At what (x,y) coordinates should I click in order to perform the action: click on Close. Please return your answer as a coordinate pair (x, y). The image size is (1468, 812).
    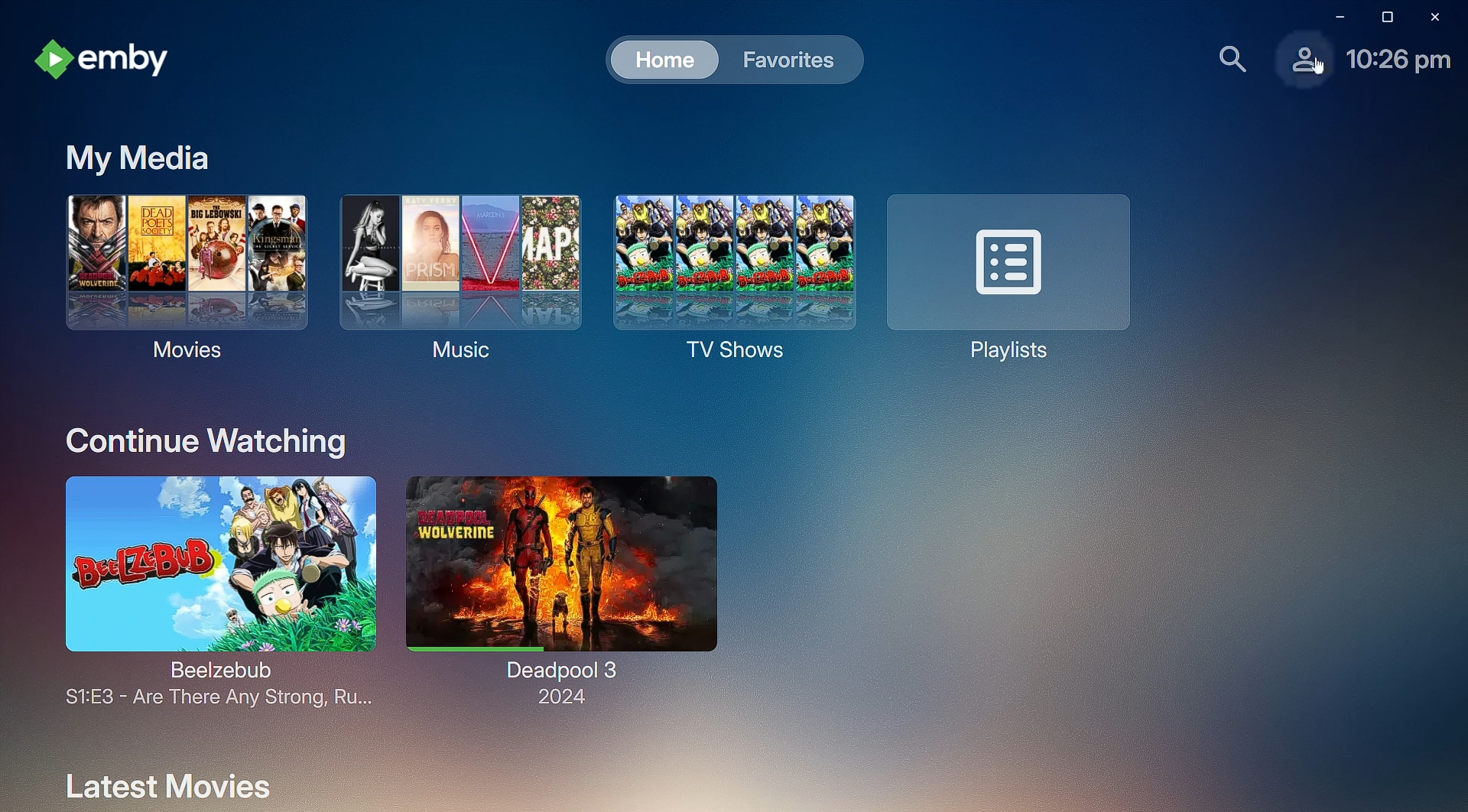
    Looking at the image, I should click on (1438, 18).